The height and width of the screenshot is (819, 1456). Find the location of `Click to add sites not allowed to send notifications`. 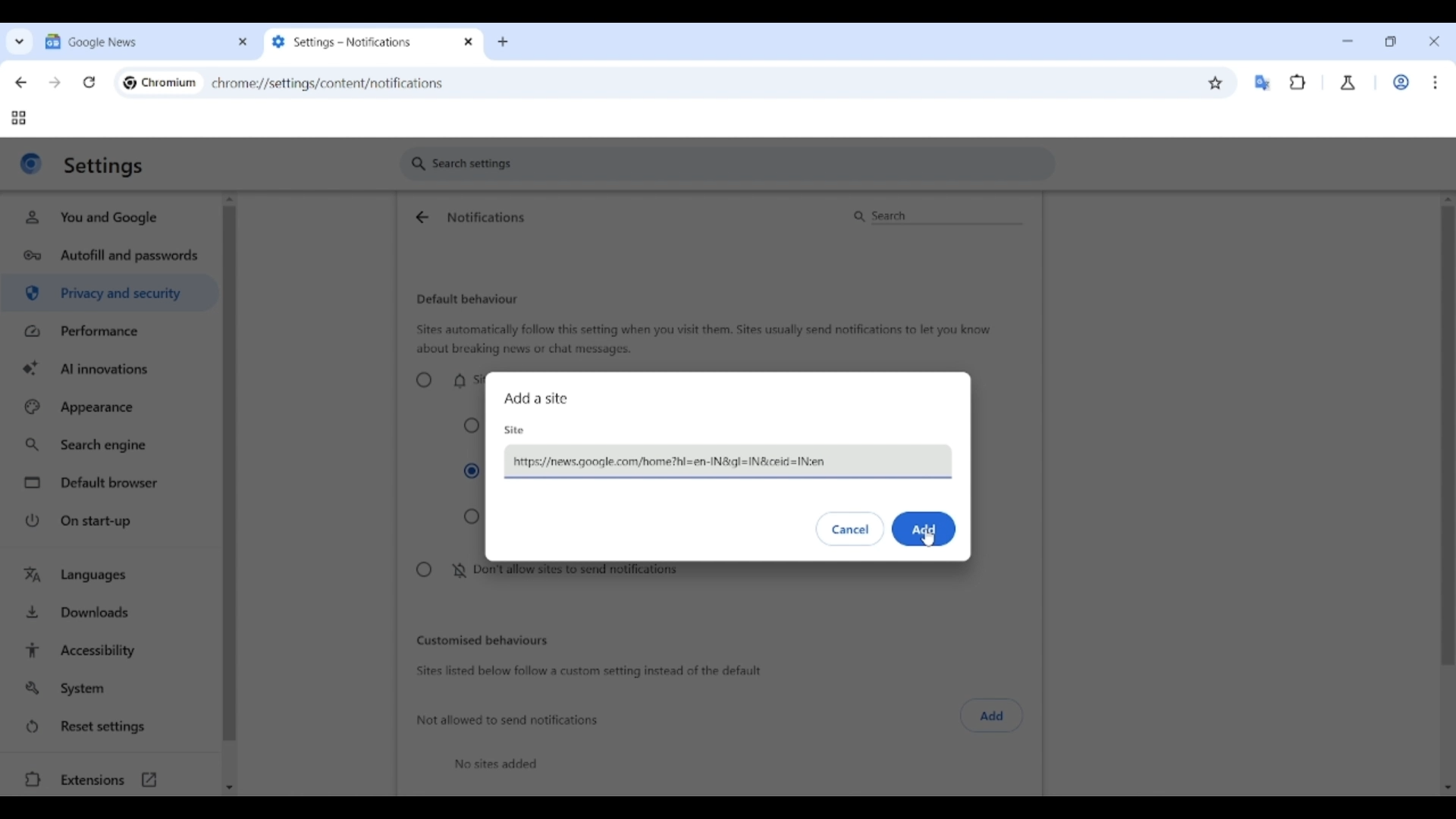

Click to add sites not allowed to send notifications is located at coordinates (992, 716).